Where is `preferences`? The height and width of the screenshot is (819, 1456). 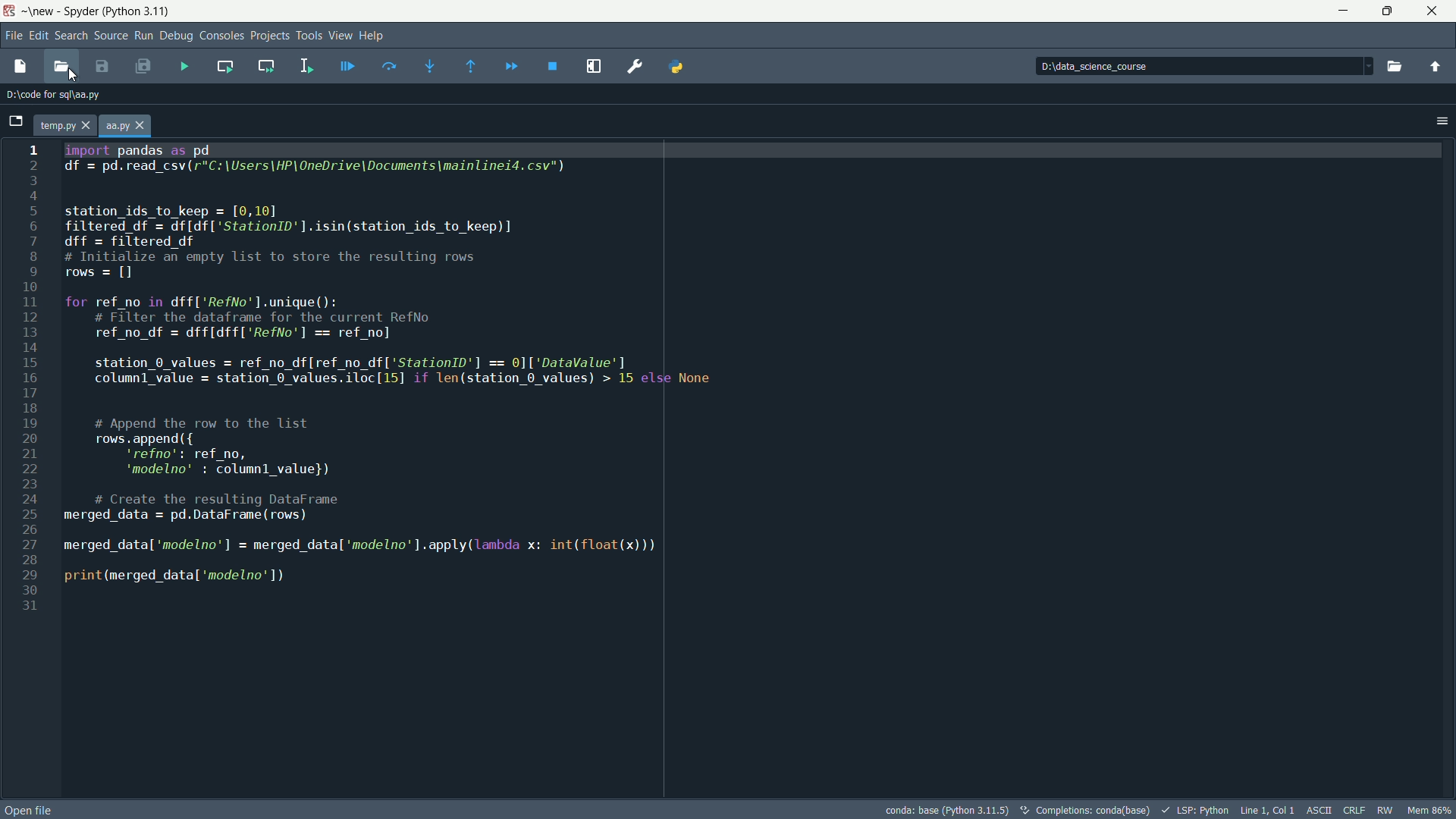 preferences is located at coordinates (638, 67).